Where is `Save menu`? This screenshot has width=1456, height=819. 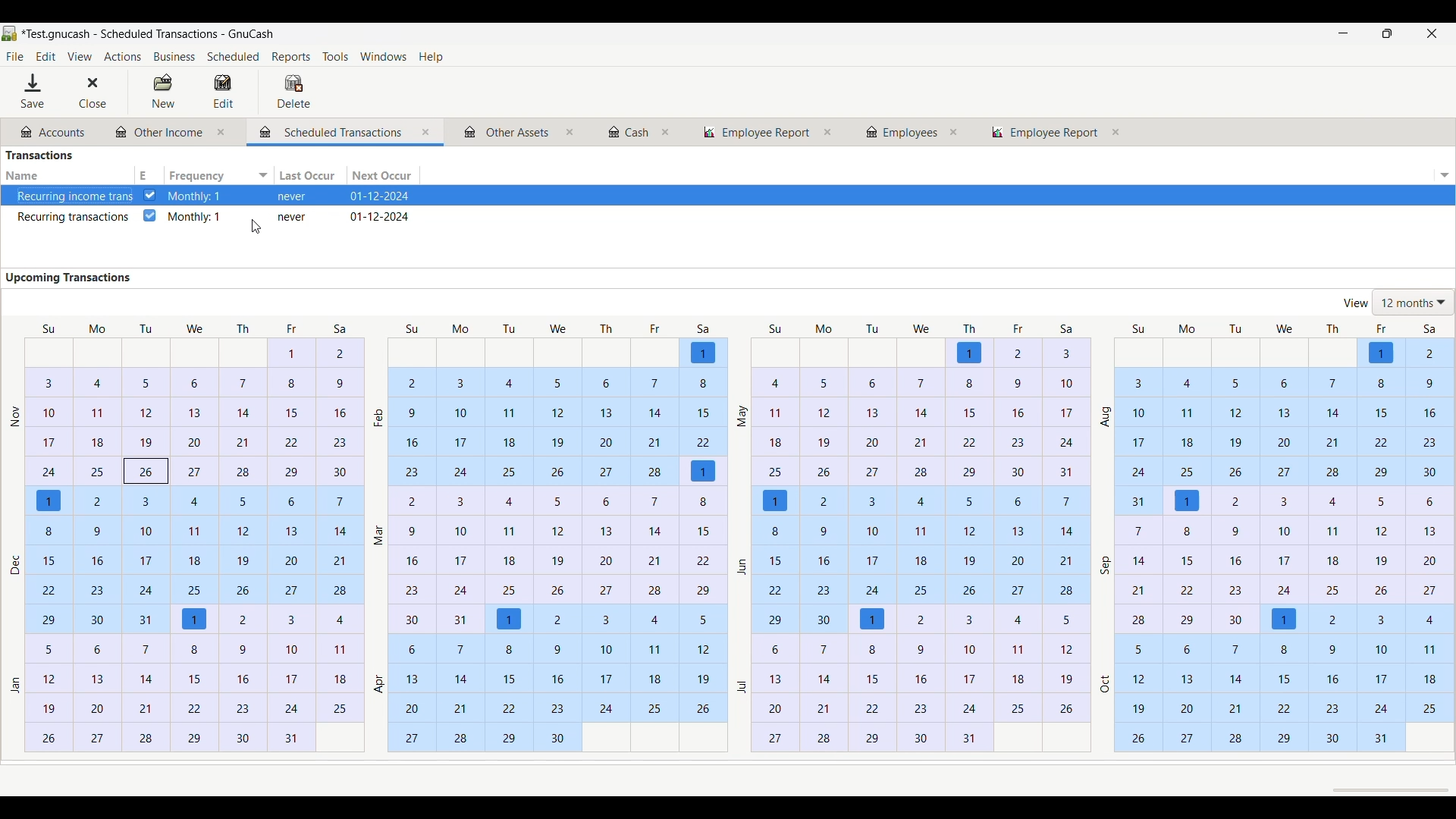 Save menu is located at coordinates (37, 91).